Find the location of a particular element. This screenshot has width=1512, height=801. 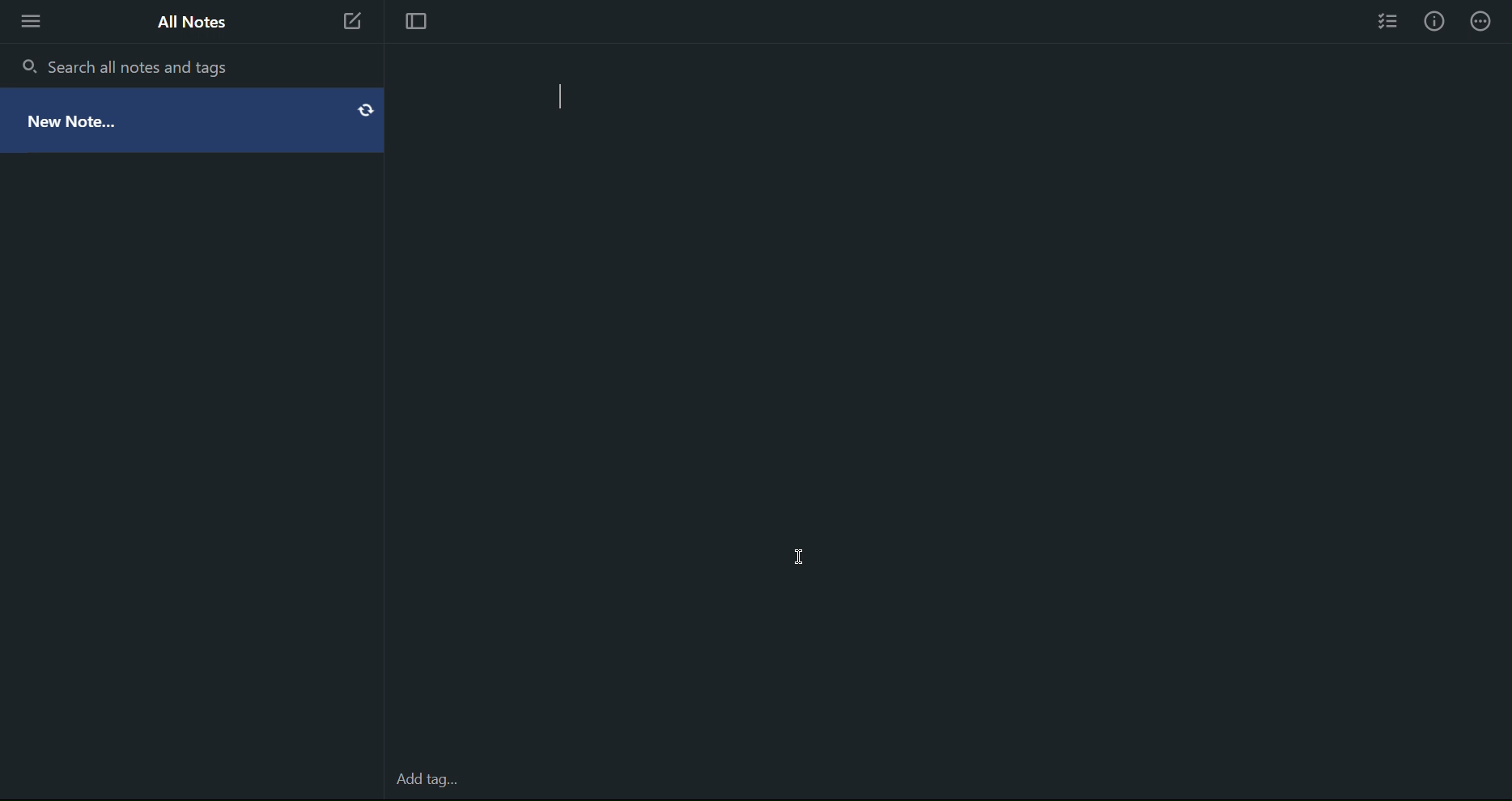

All Notes is located at coordinates (188, 19).